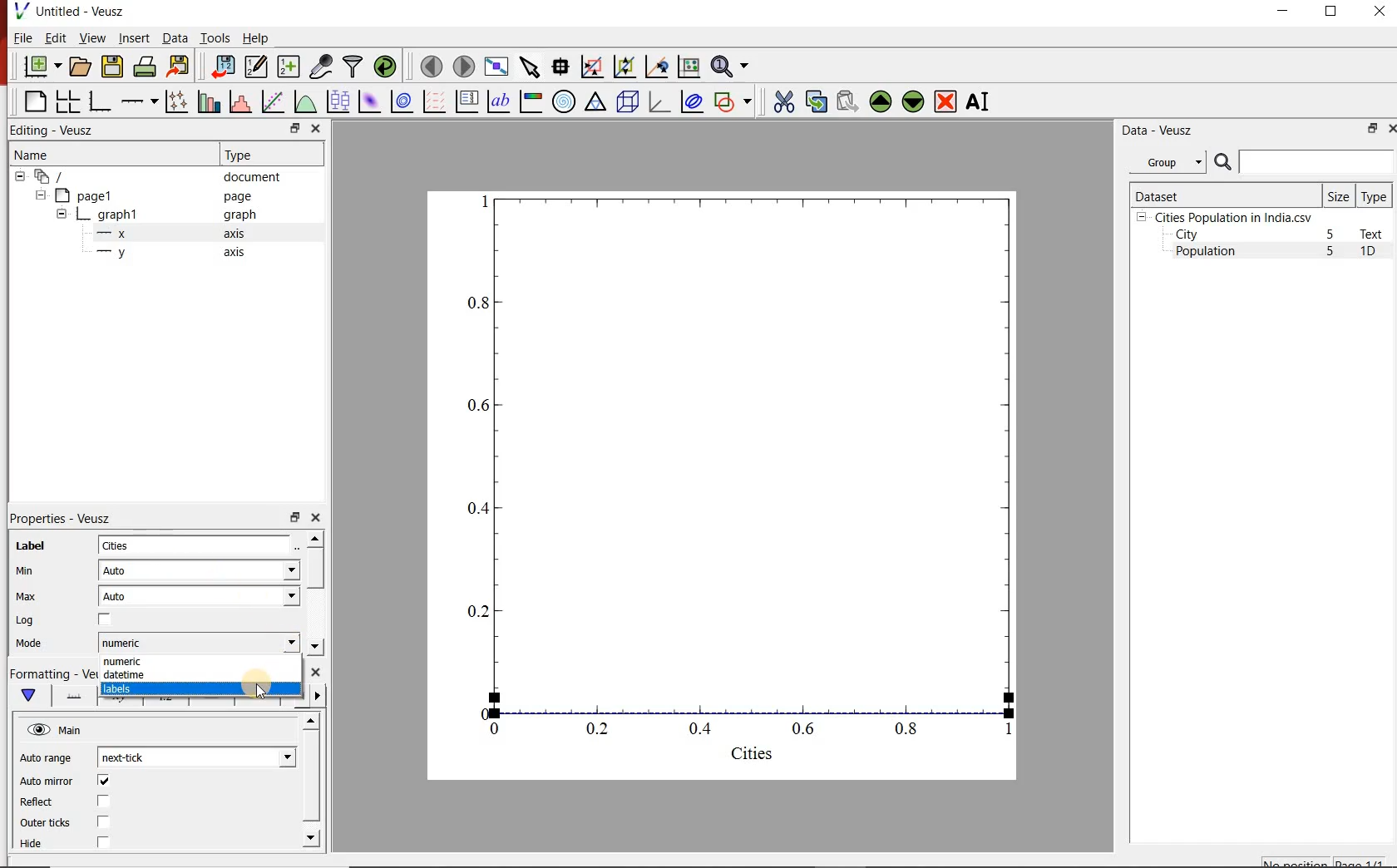  I want to click on move to the previous page, so click(429, 65).